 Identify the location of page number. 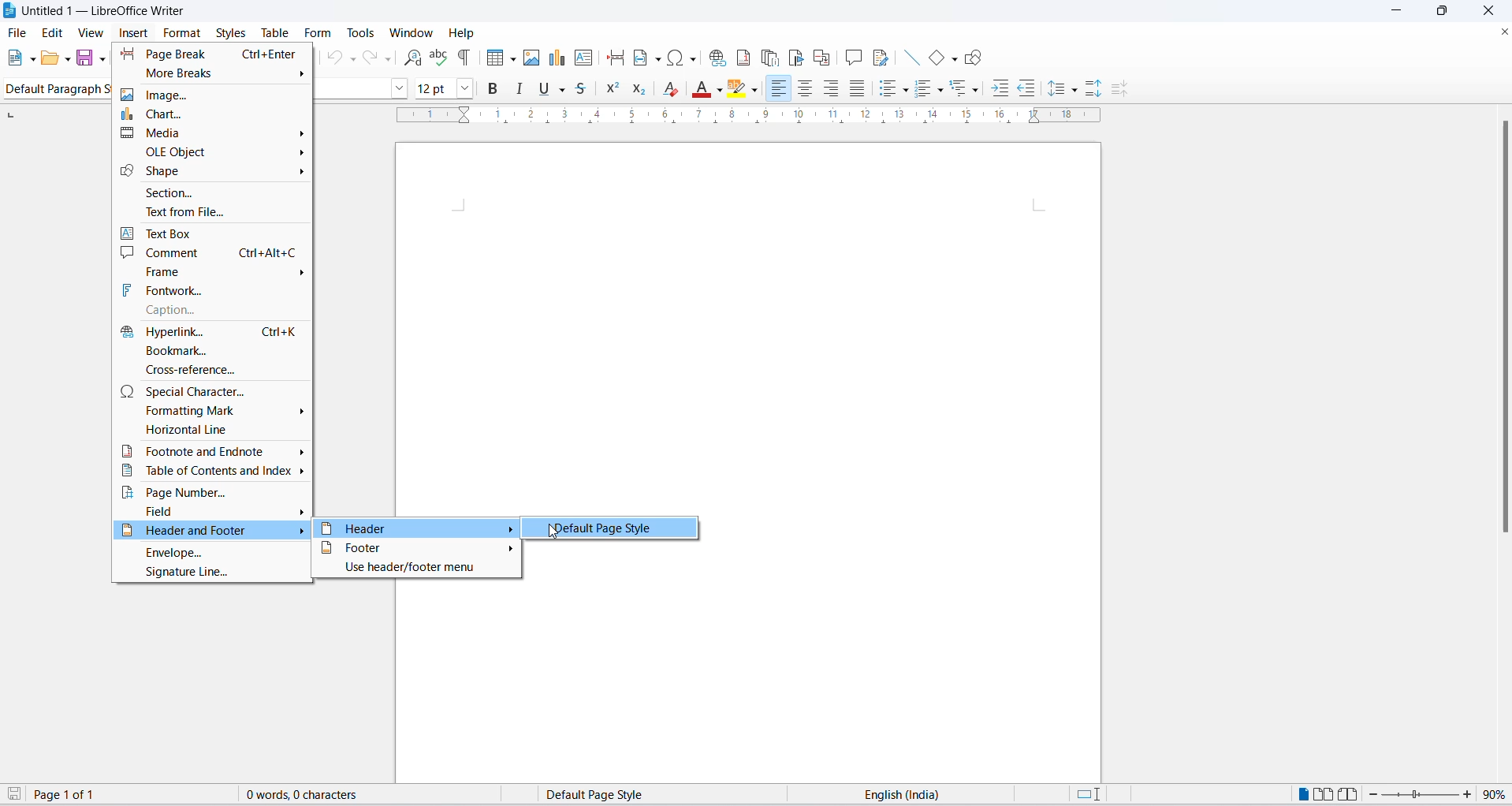
(212, 492).